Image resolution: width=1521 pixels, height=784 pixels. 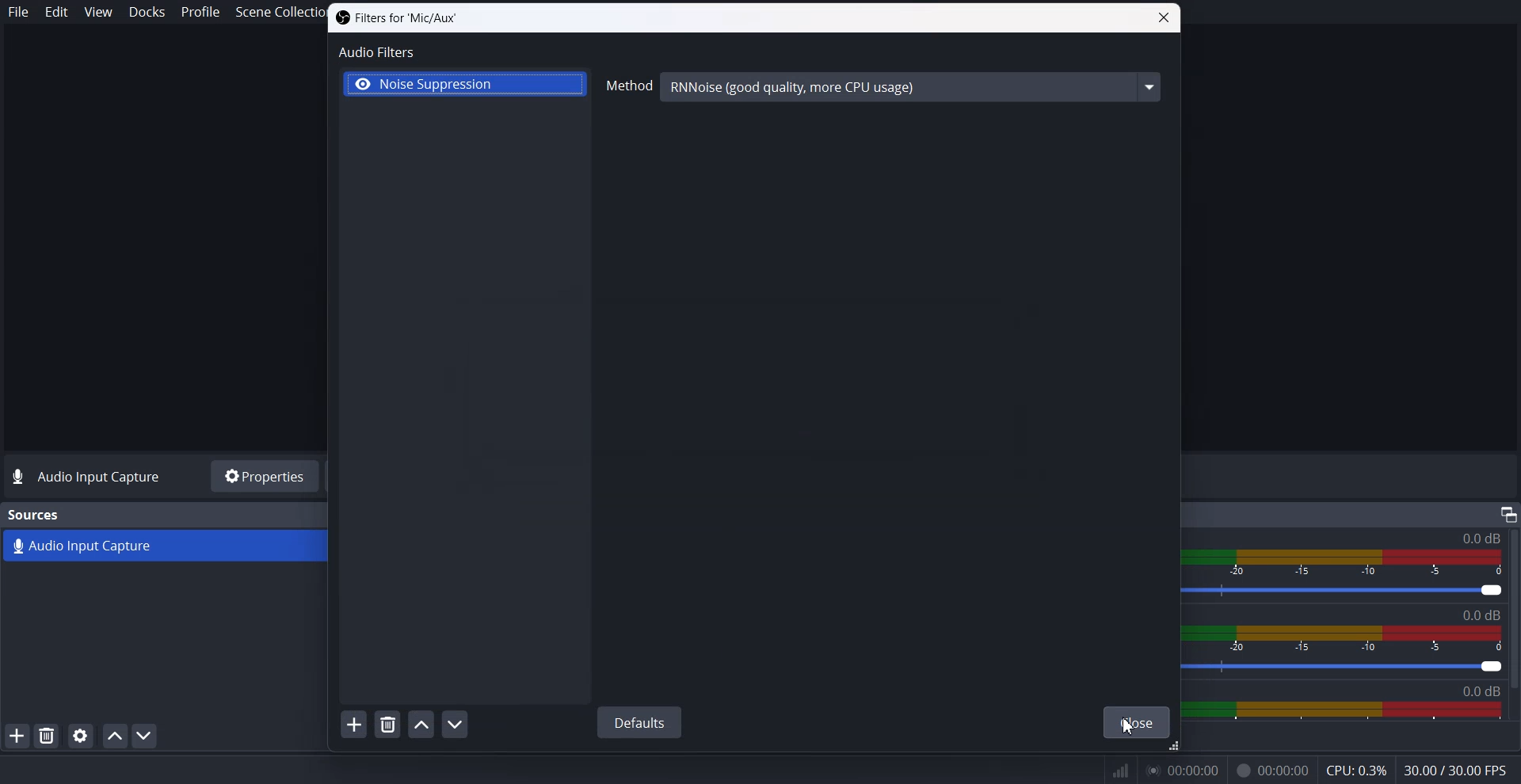 What do you see at coordinates (1164, 18) in the screenshot?
I see `Close` at bounding box center [1164, 18].